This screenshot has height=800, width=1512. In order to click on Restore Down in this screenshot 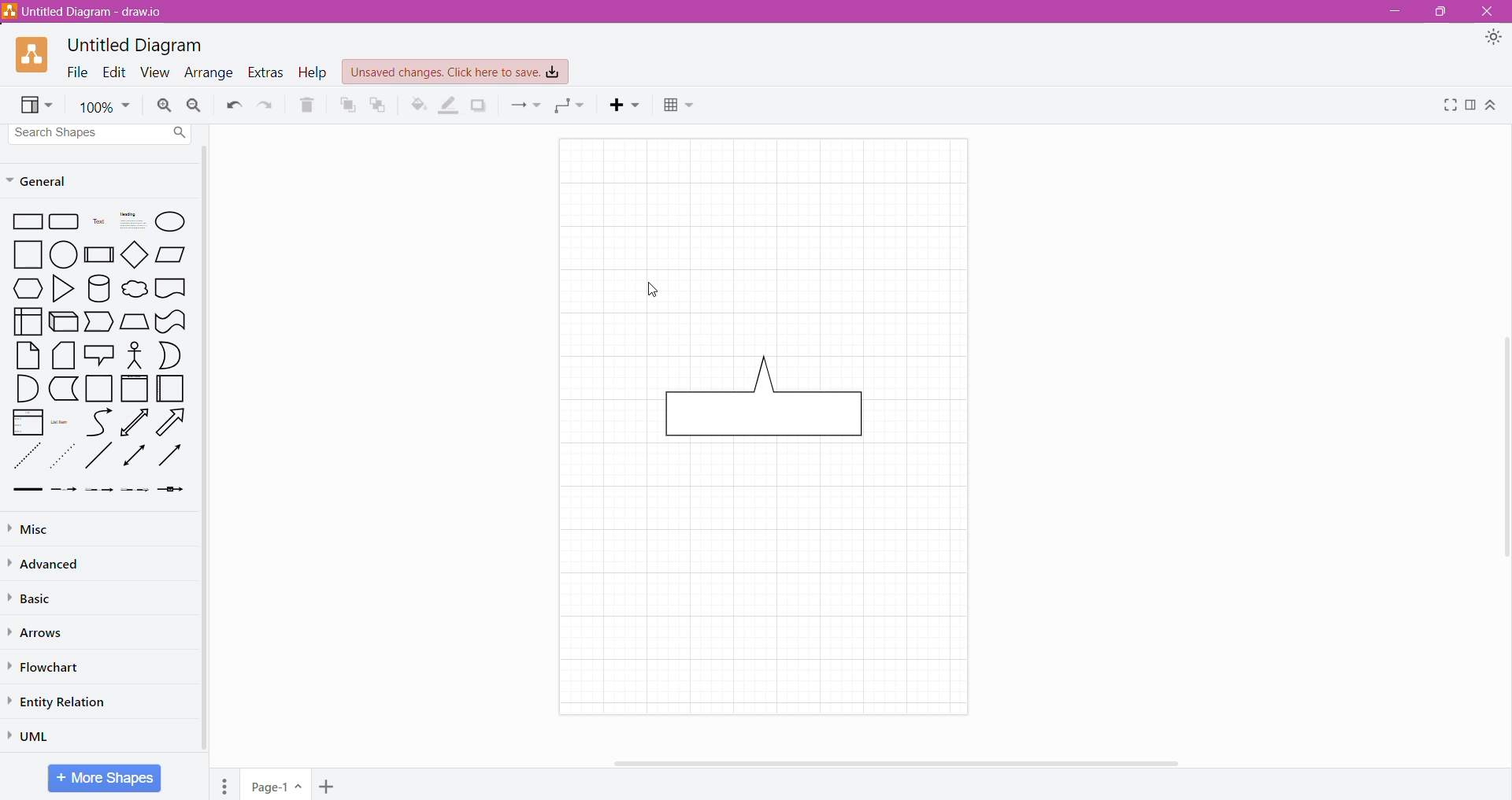, I will do `click(1439, 12)`.